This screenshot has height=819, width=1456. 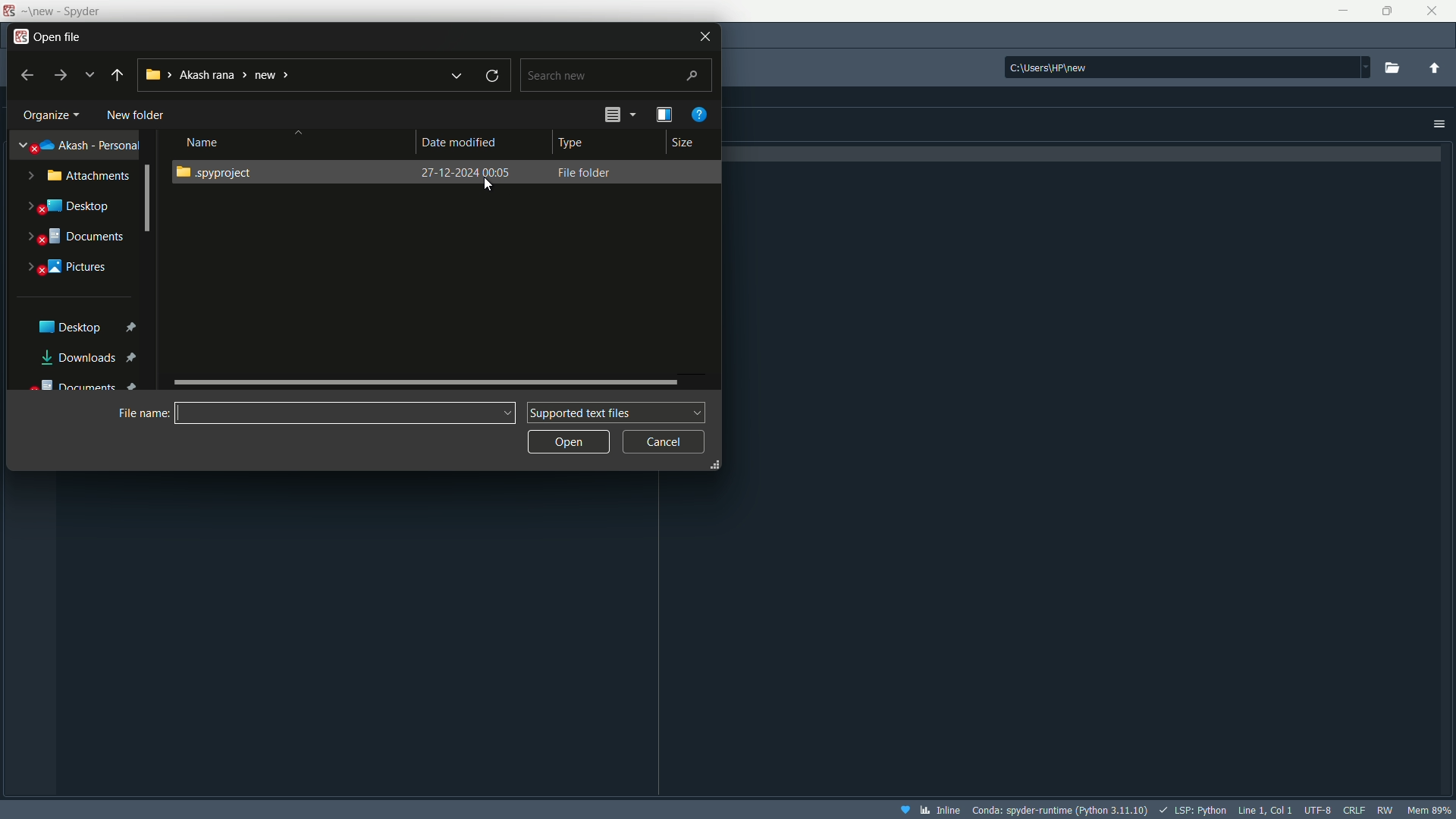 I want to click on app icon, so click(x=19, y=37).